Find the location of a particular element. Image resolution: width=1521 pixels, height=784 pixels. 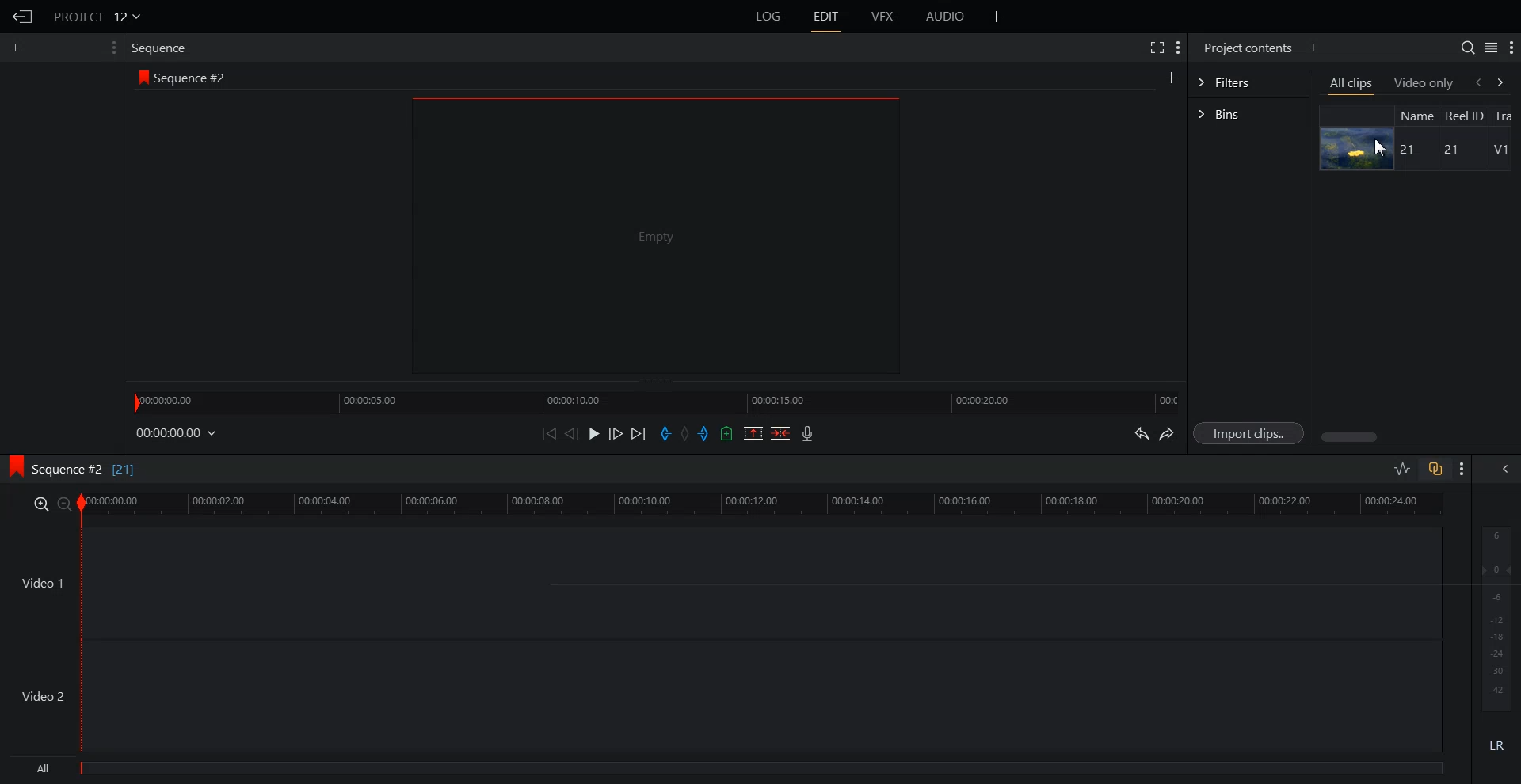

Go Back is located at coordinates (21, 17).